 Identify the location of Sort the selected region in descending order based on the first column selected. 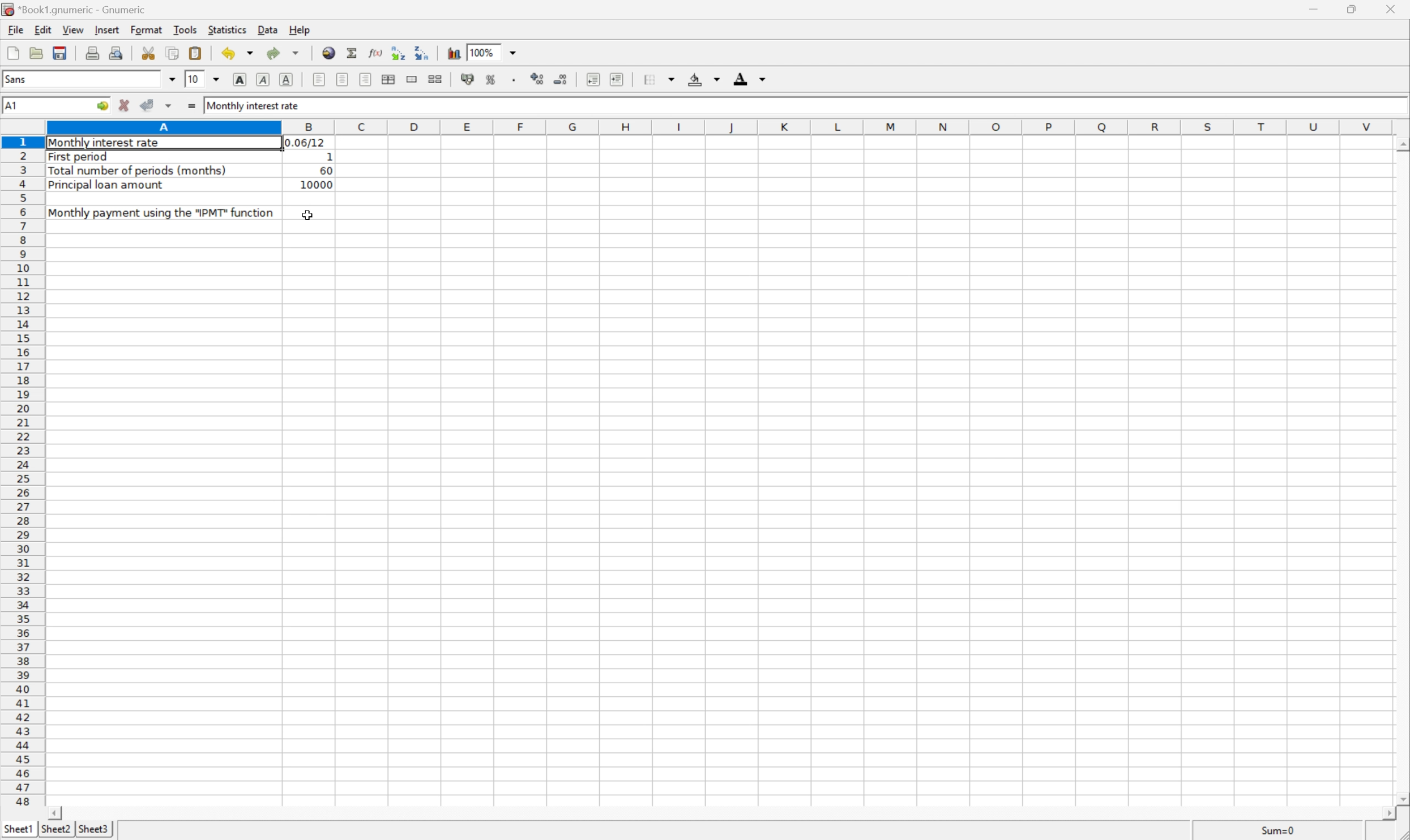
(422, 53).